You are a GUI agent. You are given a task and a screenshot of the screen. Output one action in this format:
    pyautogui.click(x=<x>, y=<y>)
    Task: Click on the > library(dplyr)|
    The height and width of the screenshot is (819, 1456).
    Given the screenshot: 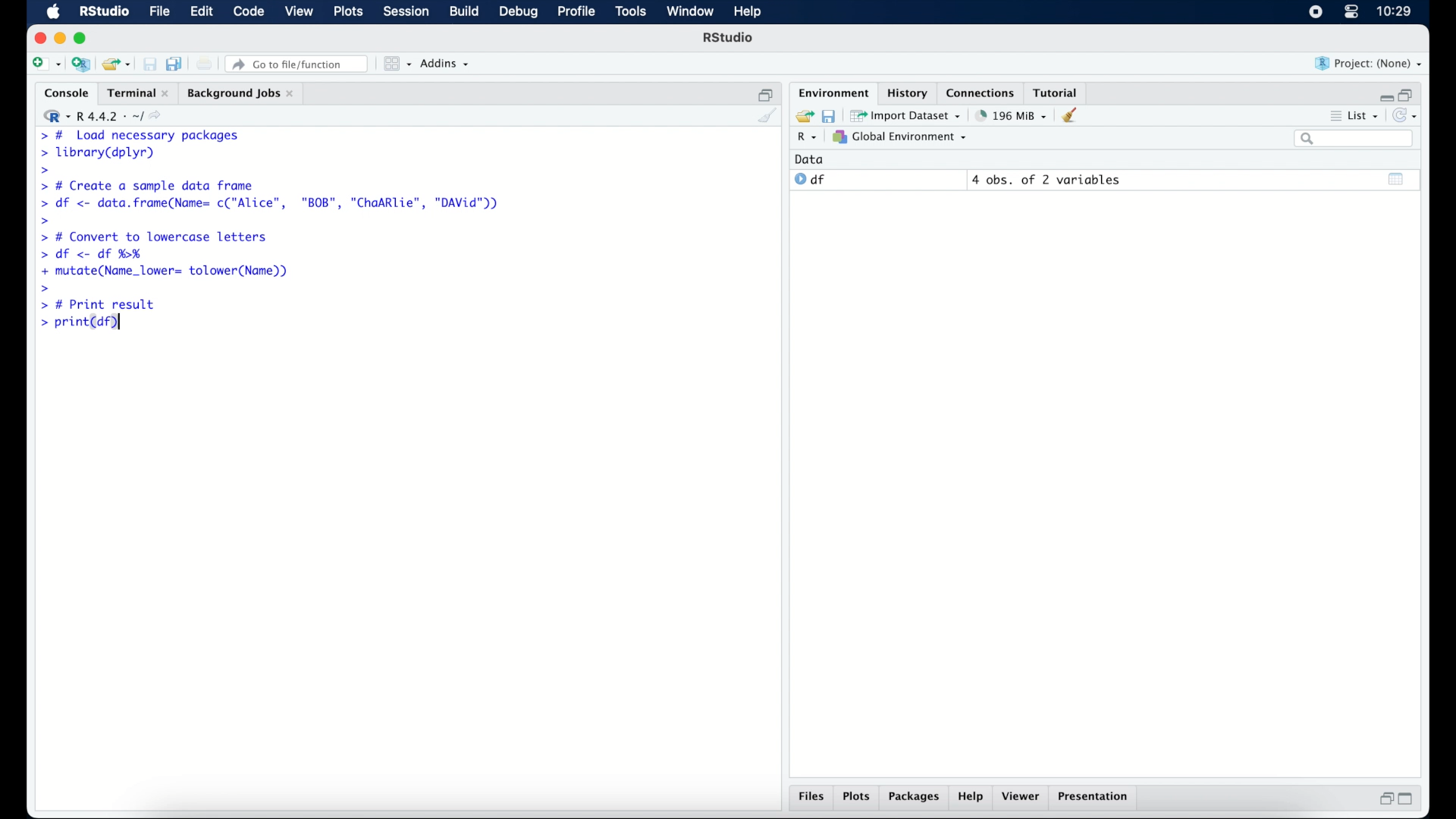 What is the action you would take?
    pyautogui.click(x=101, y=153)
    